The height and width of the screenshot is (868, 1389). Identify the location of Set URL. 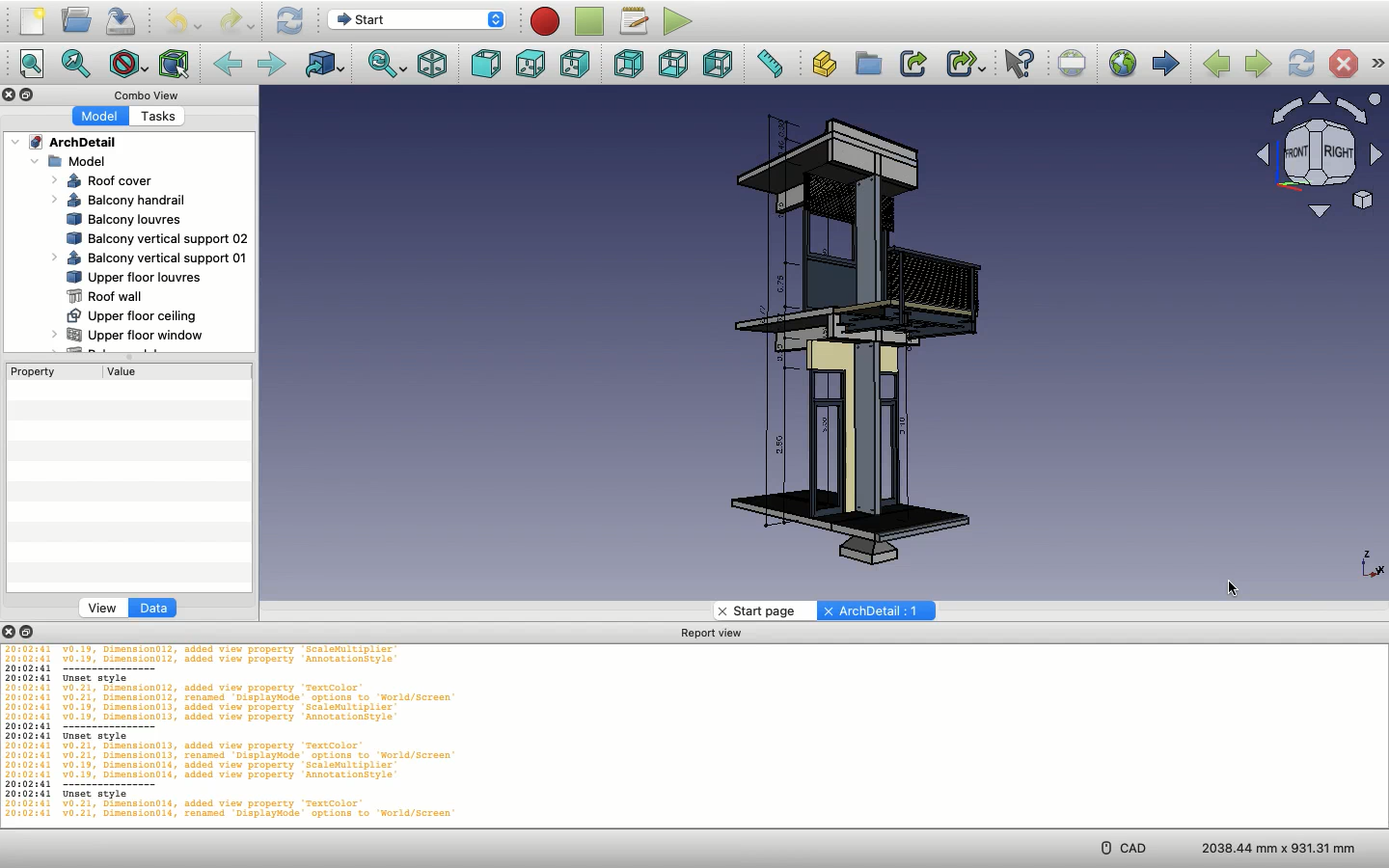
(1070, 63).